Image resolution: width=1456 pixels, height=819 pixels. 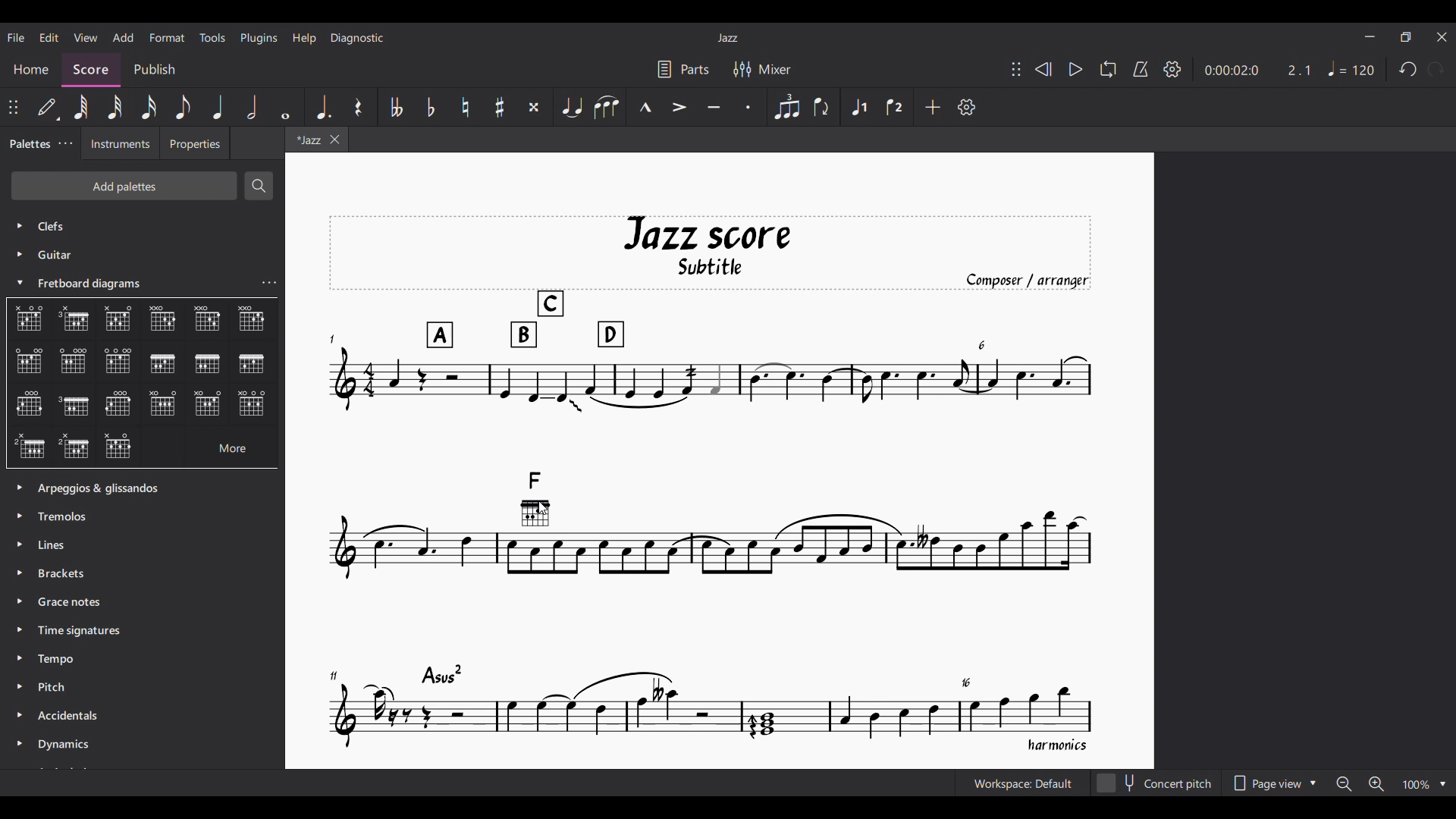 I want to click on Default, so click(x=47, y=107).